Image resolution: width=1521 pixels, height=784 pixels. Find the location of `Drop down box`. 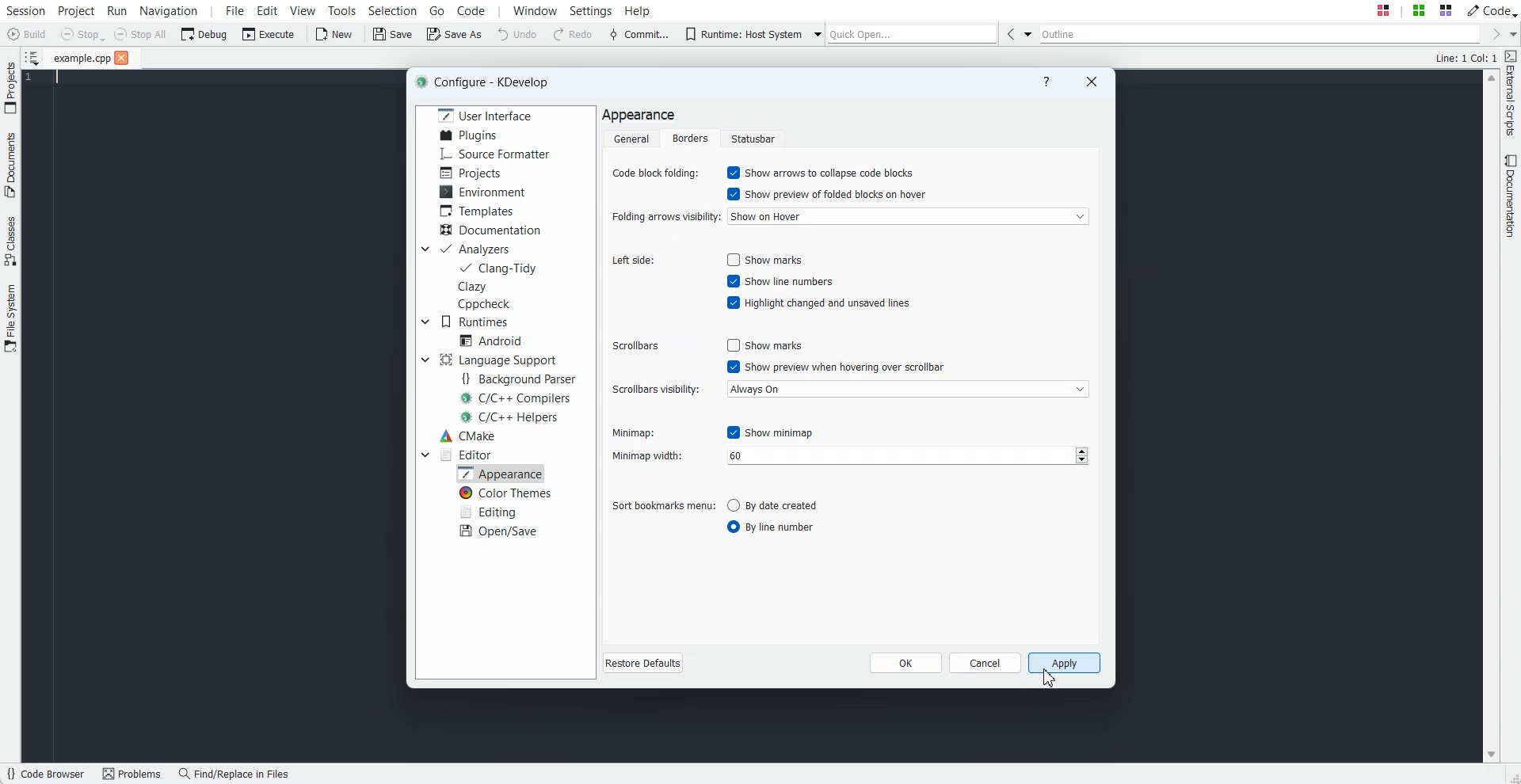

Drop down box is located at coordinates (425, 455).